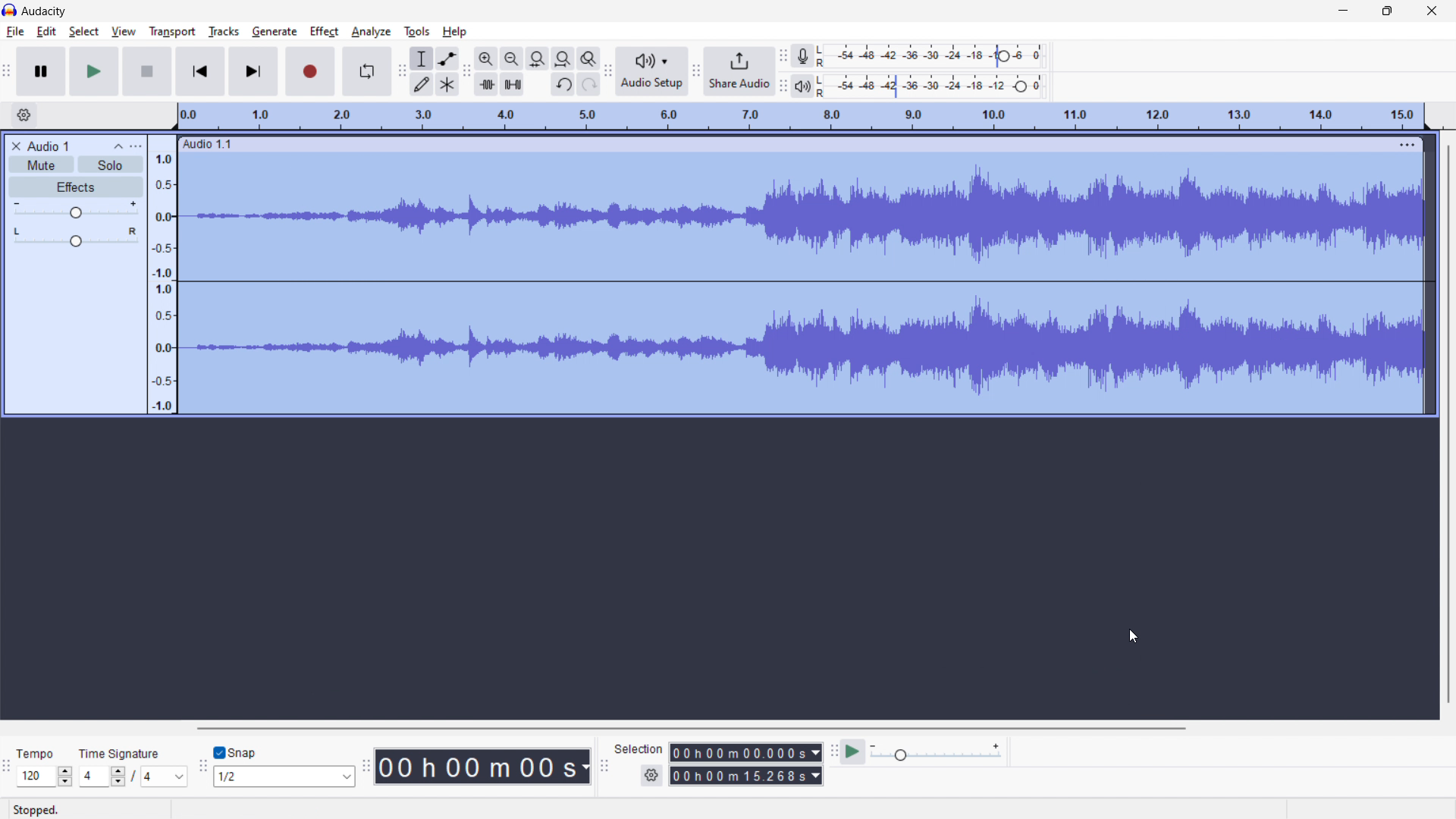 This screenshot has width=1456, height=819. I want to click on settings, so click(651, 776).